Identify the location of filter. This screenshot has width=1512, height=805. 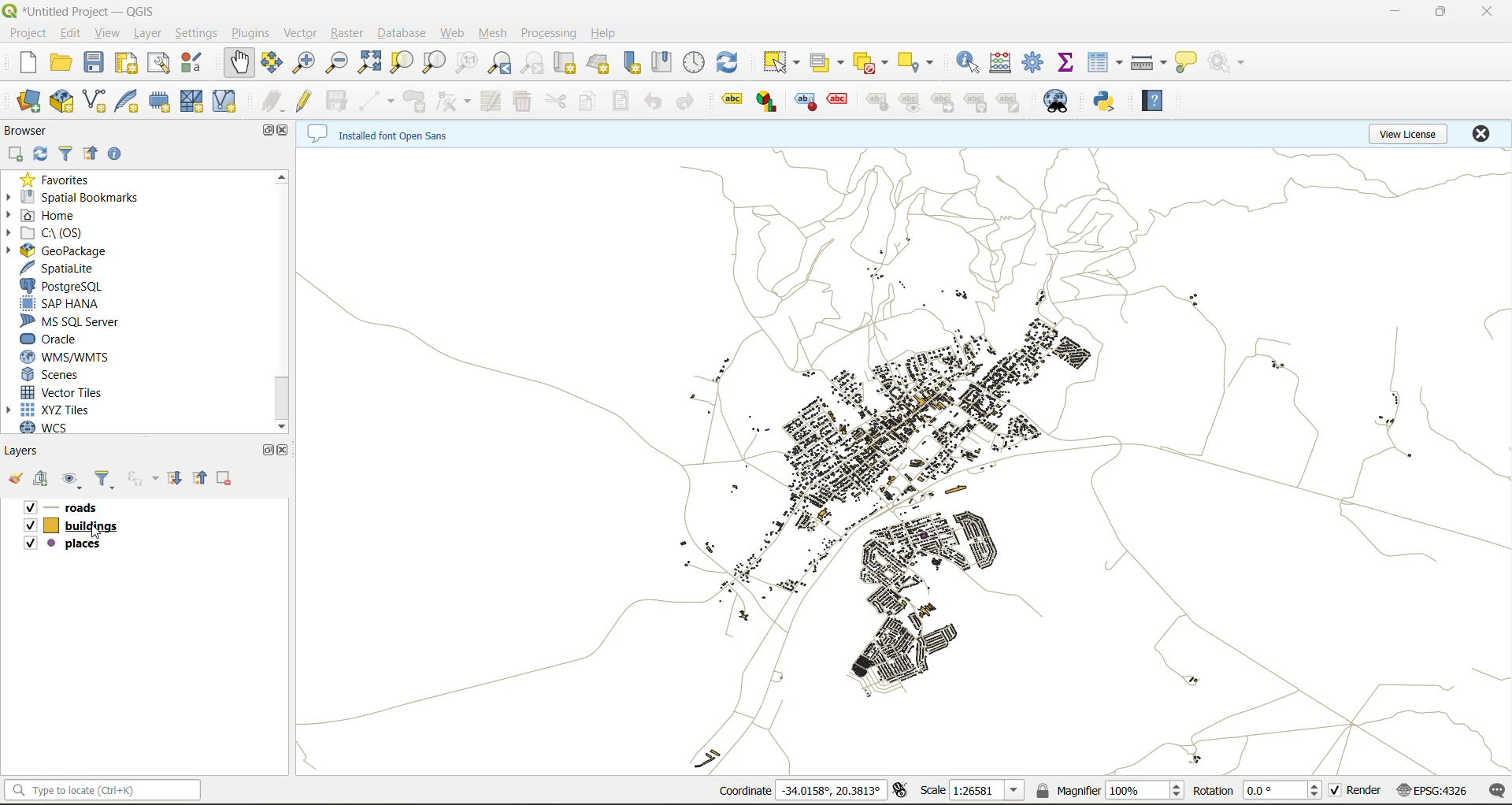
(65, 154).